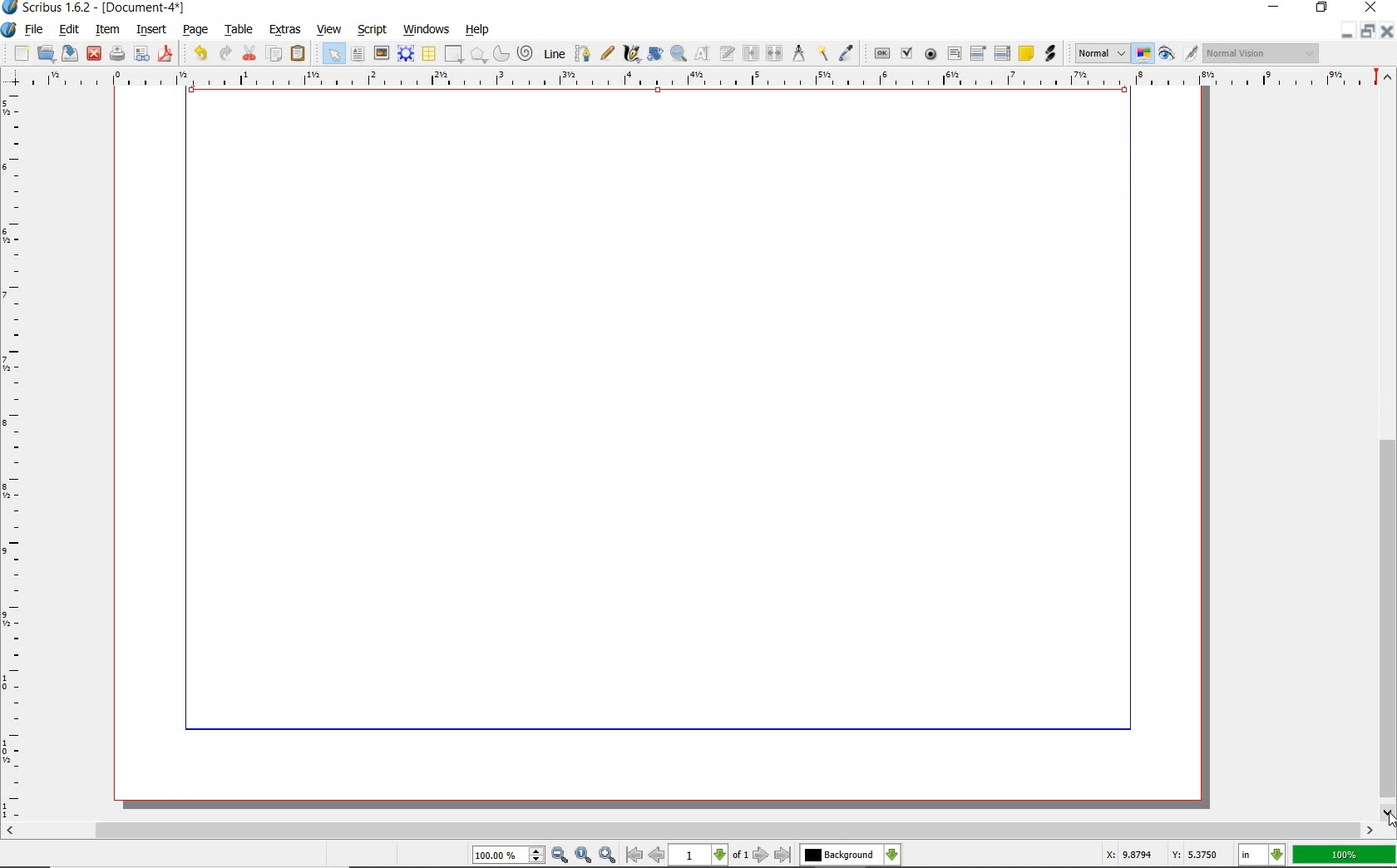  Describe the element at coordinates (510, 856) in the screenshot. I see `100.00%` at that location.